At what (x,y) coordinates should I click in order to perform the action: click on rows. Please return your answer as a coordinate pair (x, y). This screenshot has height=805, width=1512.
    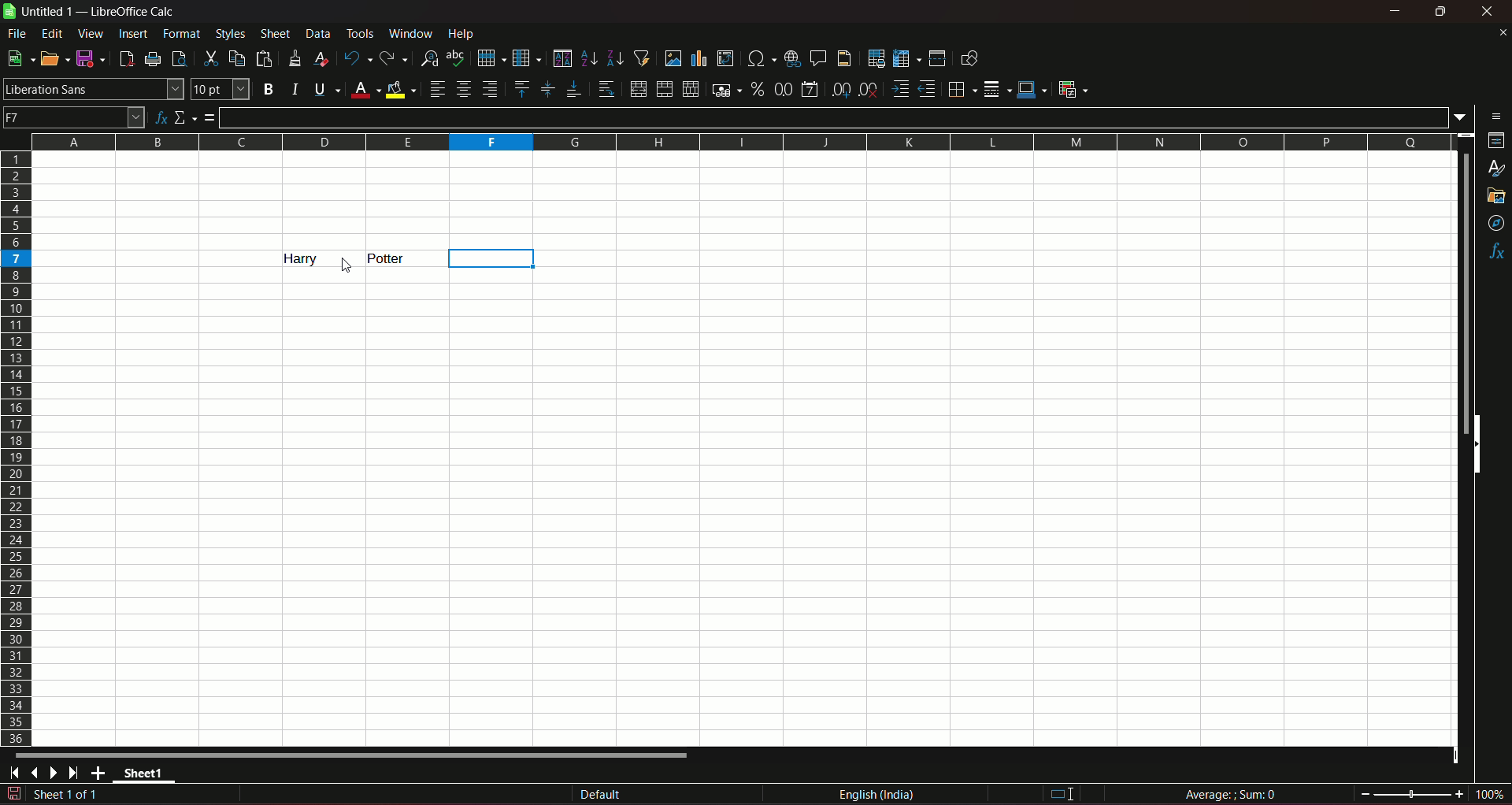
    Looking at the image, I should click on (17, 447).